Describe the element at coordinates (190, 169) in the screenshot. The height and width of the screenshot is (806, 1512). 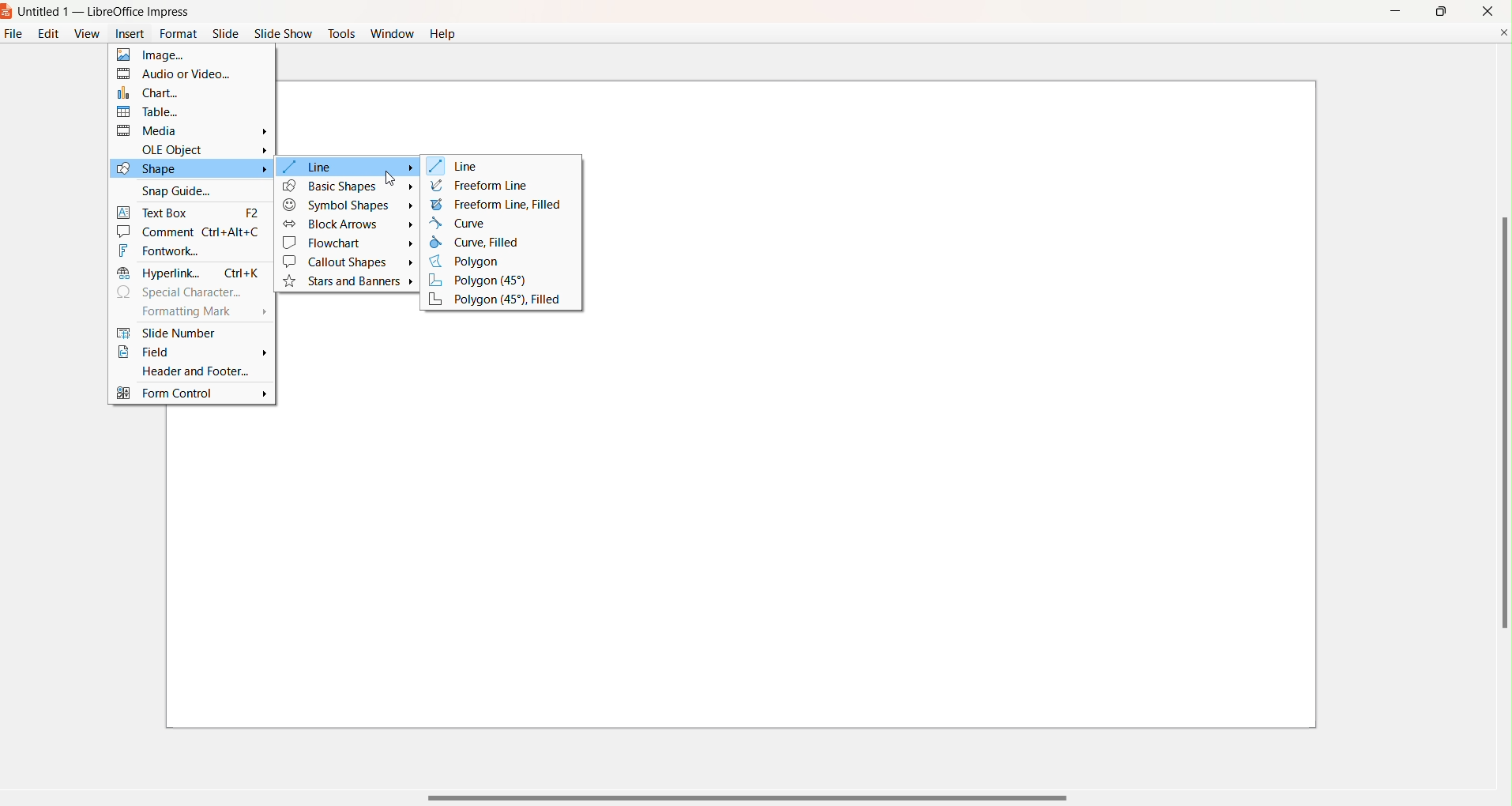
I see `Shape` at that location.